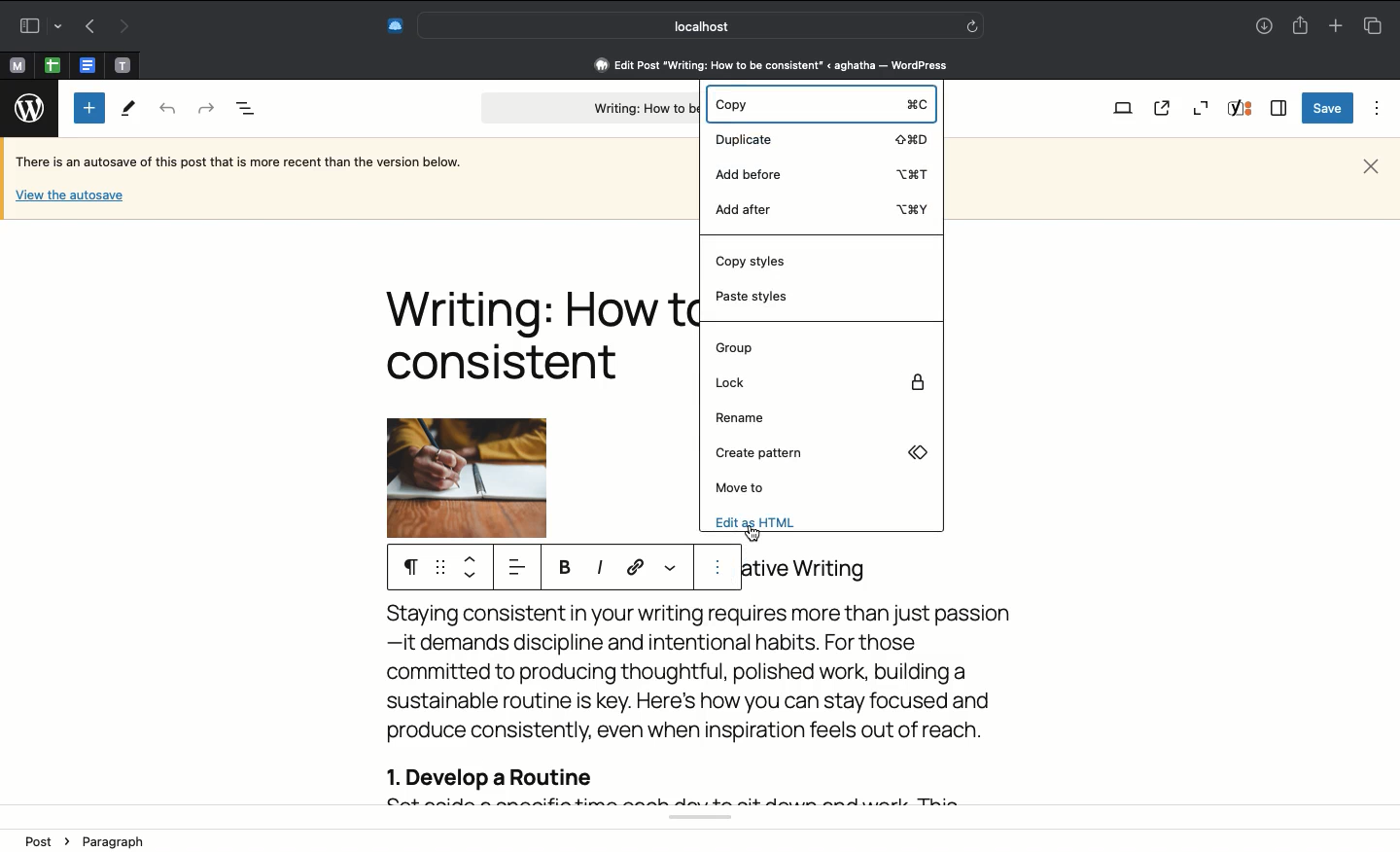 The width and height of the screenshot is (1400, 852). I want to click on Left alignment, so click(515, 568).